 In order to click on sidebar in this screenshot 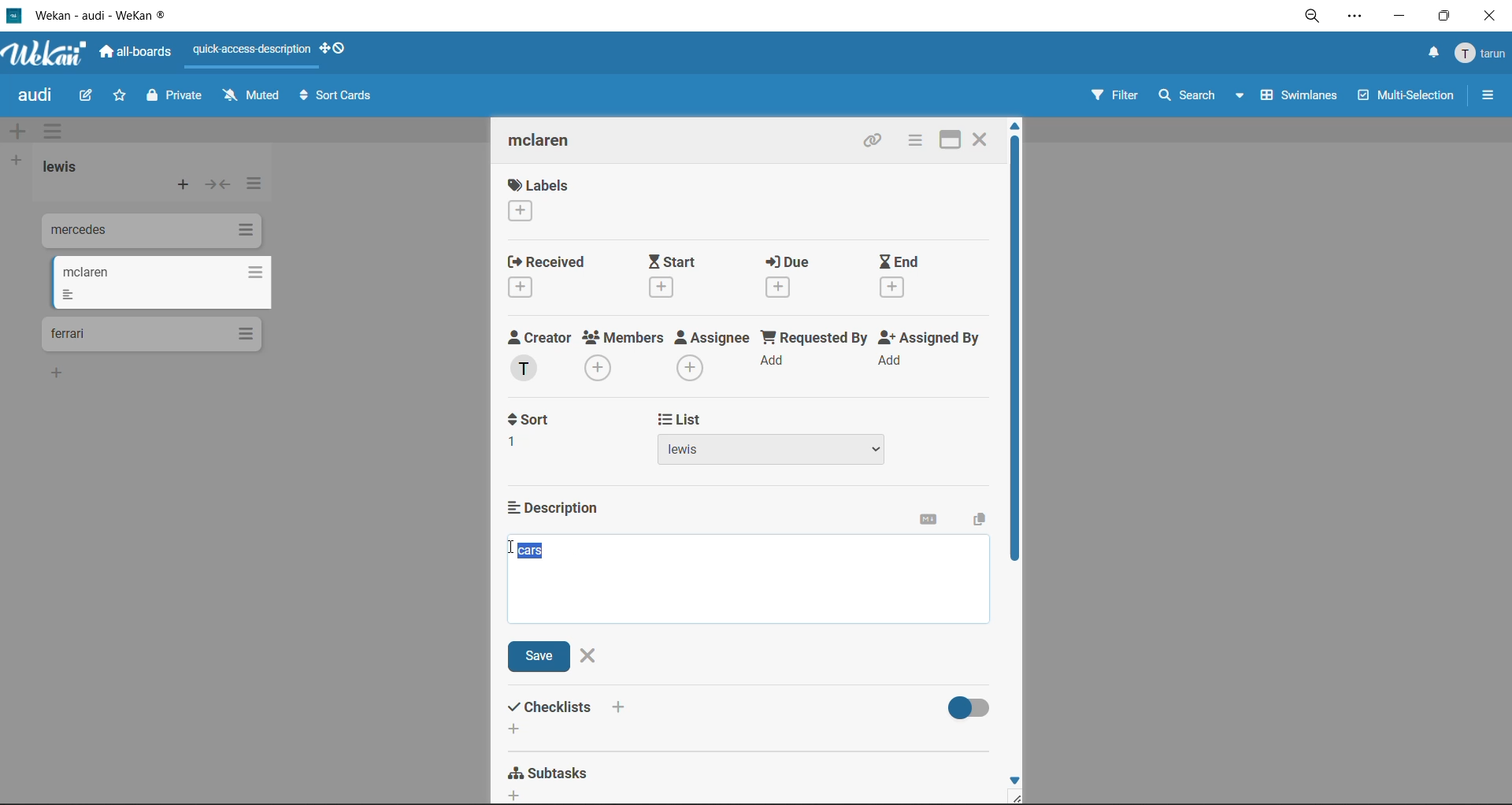, I will do `click(1488, 95)`.